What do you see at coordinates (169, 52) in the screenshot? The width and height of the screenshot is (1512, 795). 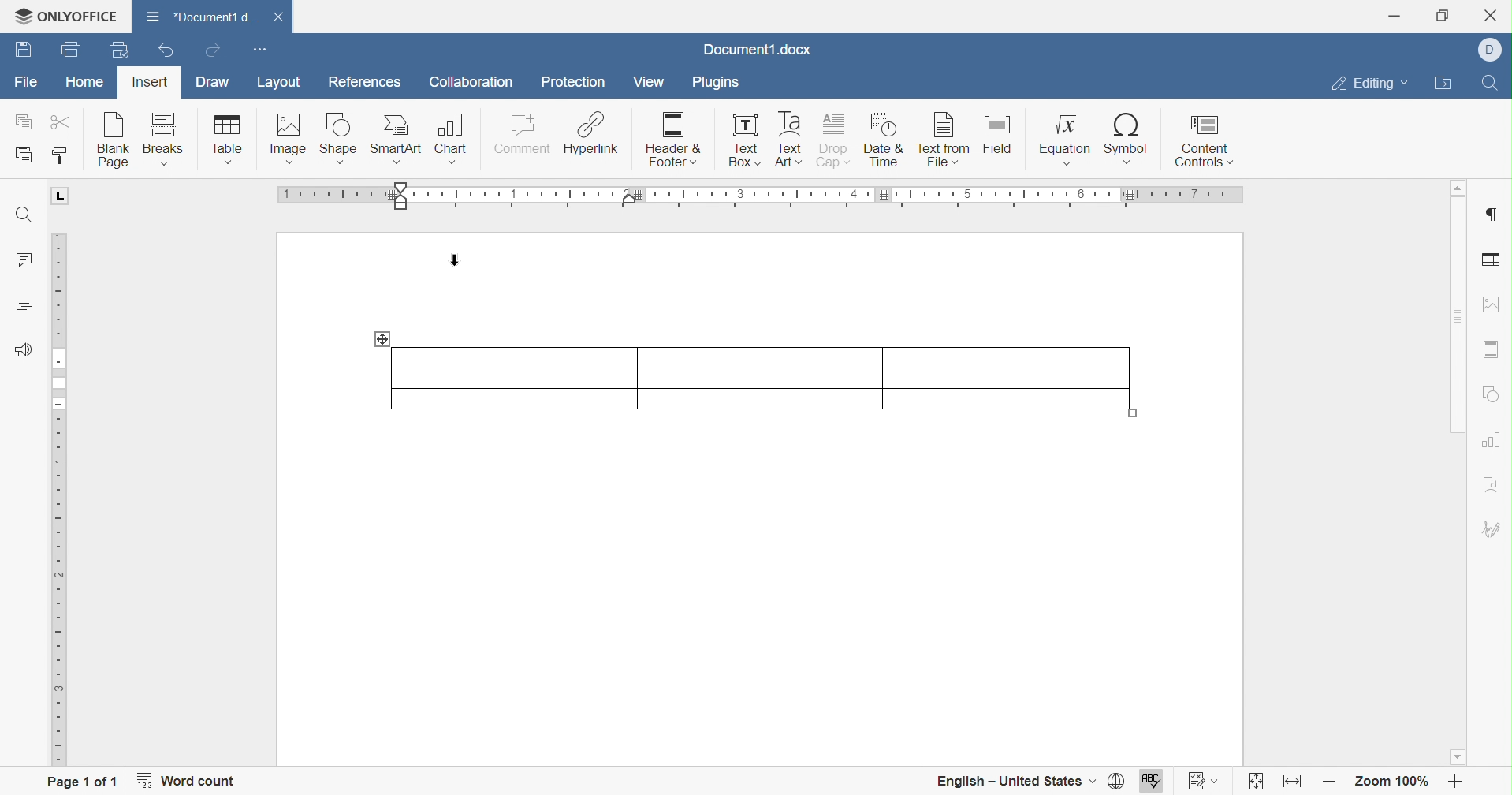 I see `Undo` at bounding box center [169, 52].